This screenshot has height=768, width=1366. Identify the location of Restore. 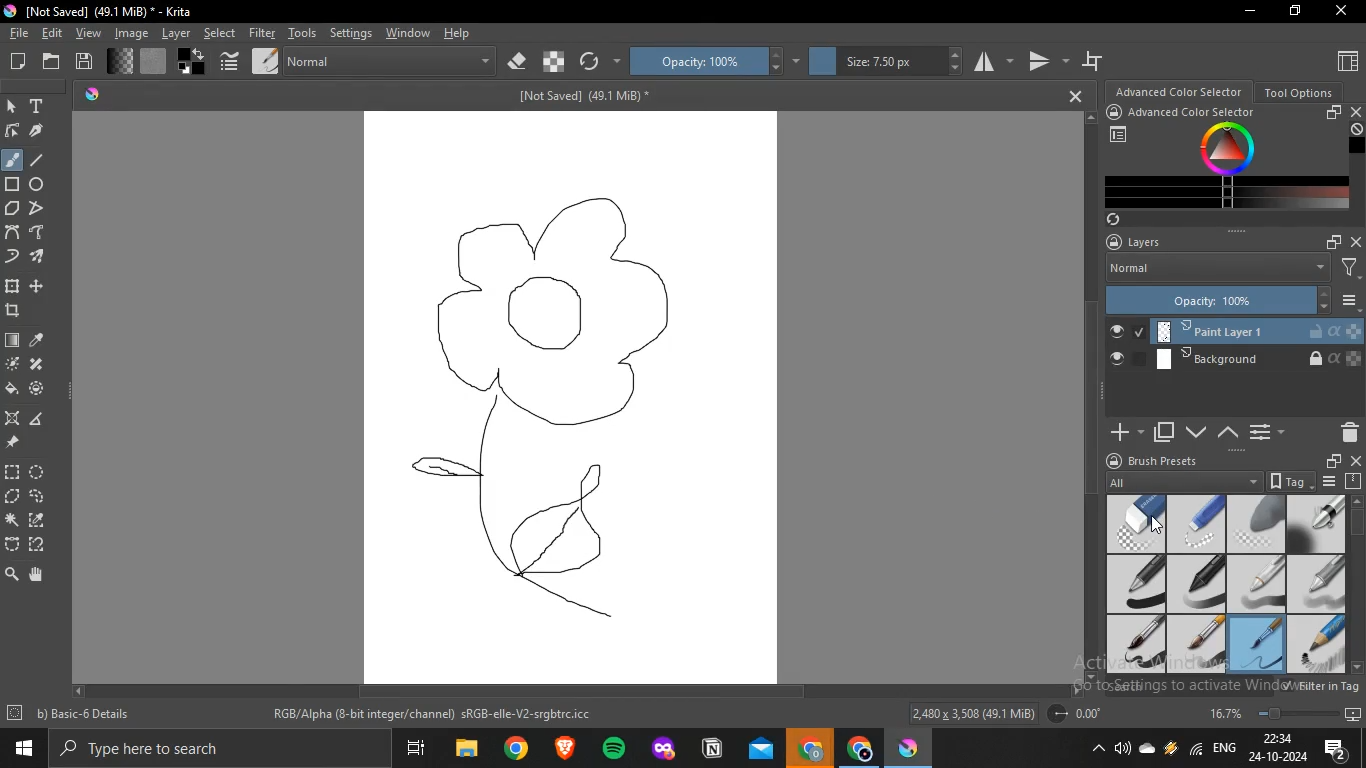
(1293, 13).